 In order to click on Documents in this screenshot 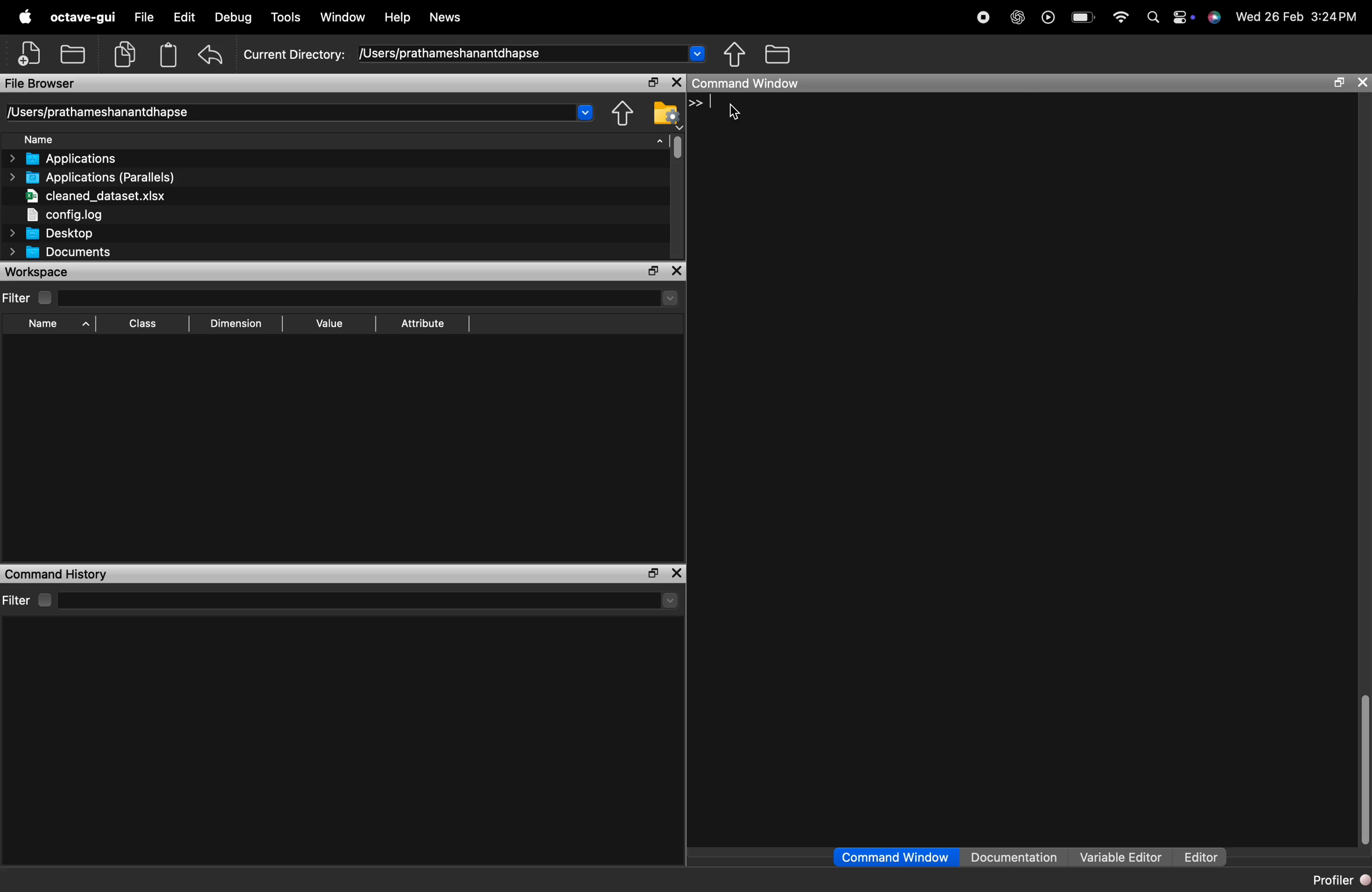, I will do `click(61, 253)`.